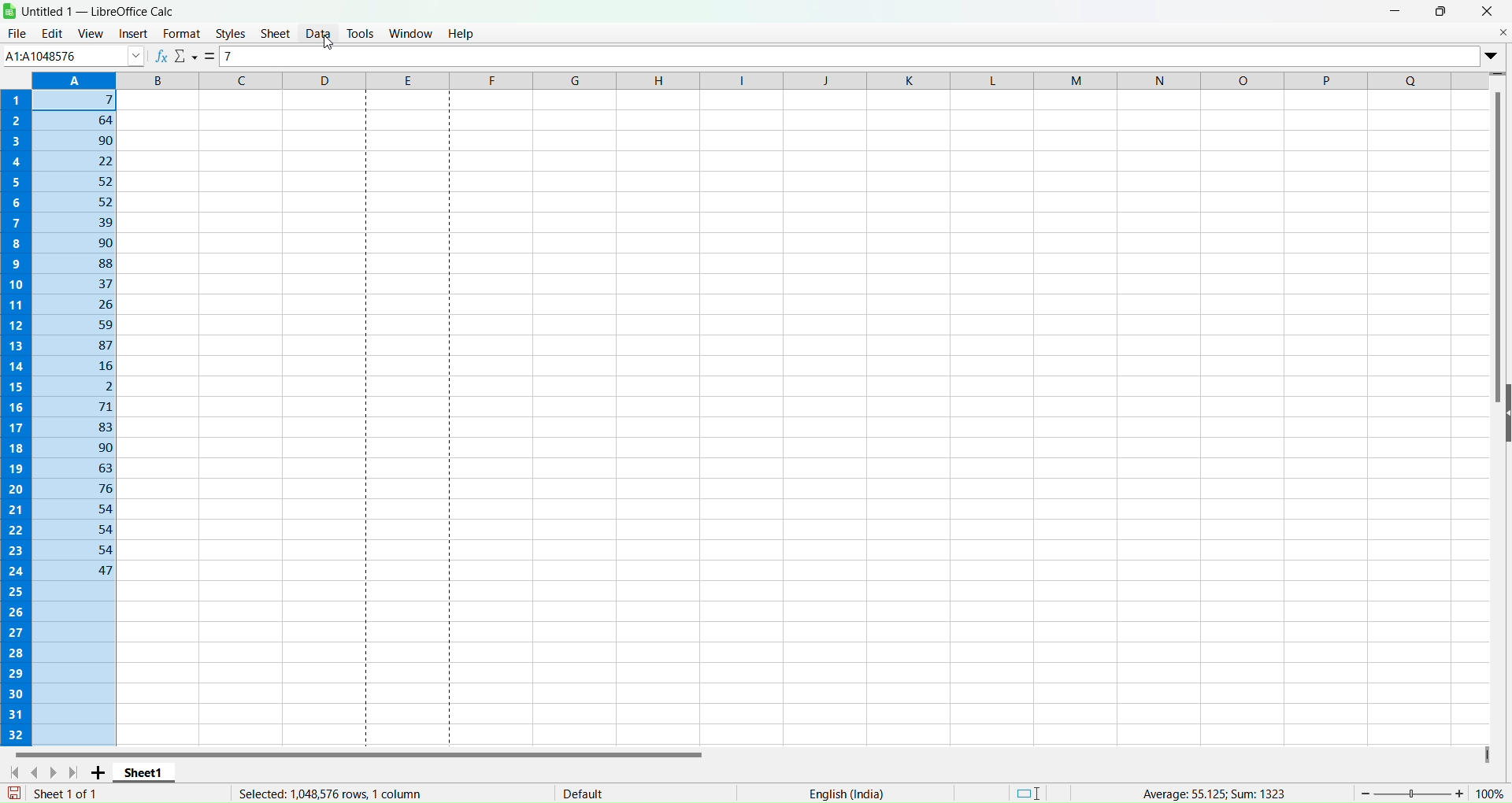  I want to click on First, so click(15, 772).